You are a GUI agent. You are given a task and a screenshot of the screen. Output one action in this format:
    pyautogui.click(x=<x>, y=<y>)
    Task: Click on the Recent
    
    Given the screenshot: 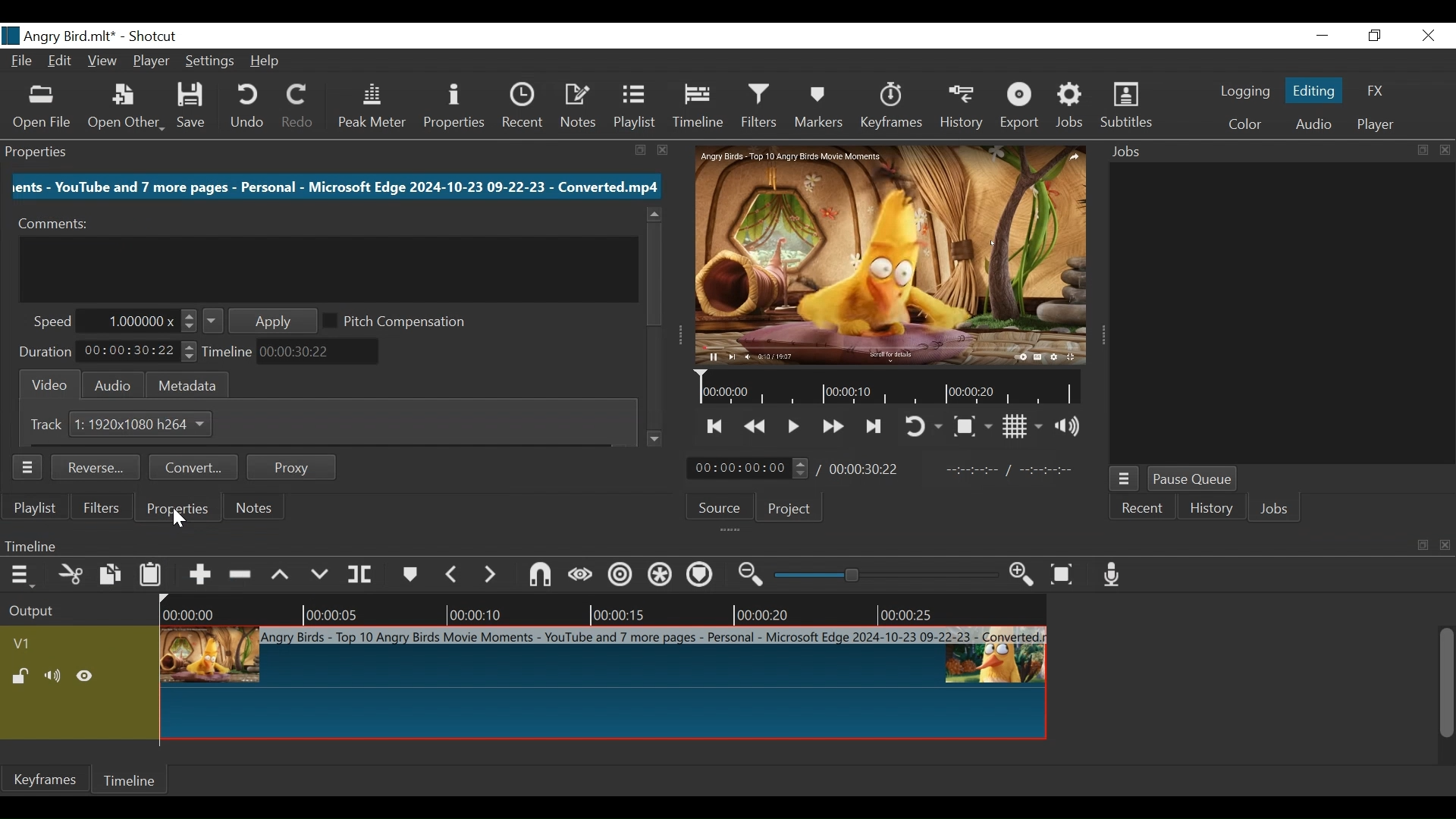 What is the action you would take?
    pyautogui.click(x=522, y=109)
    